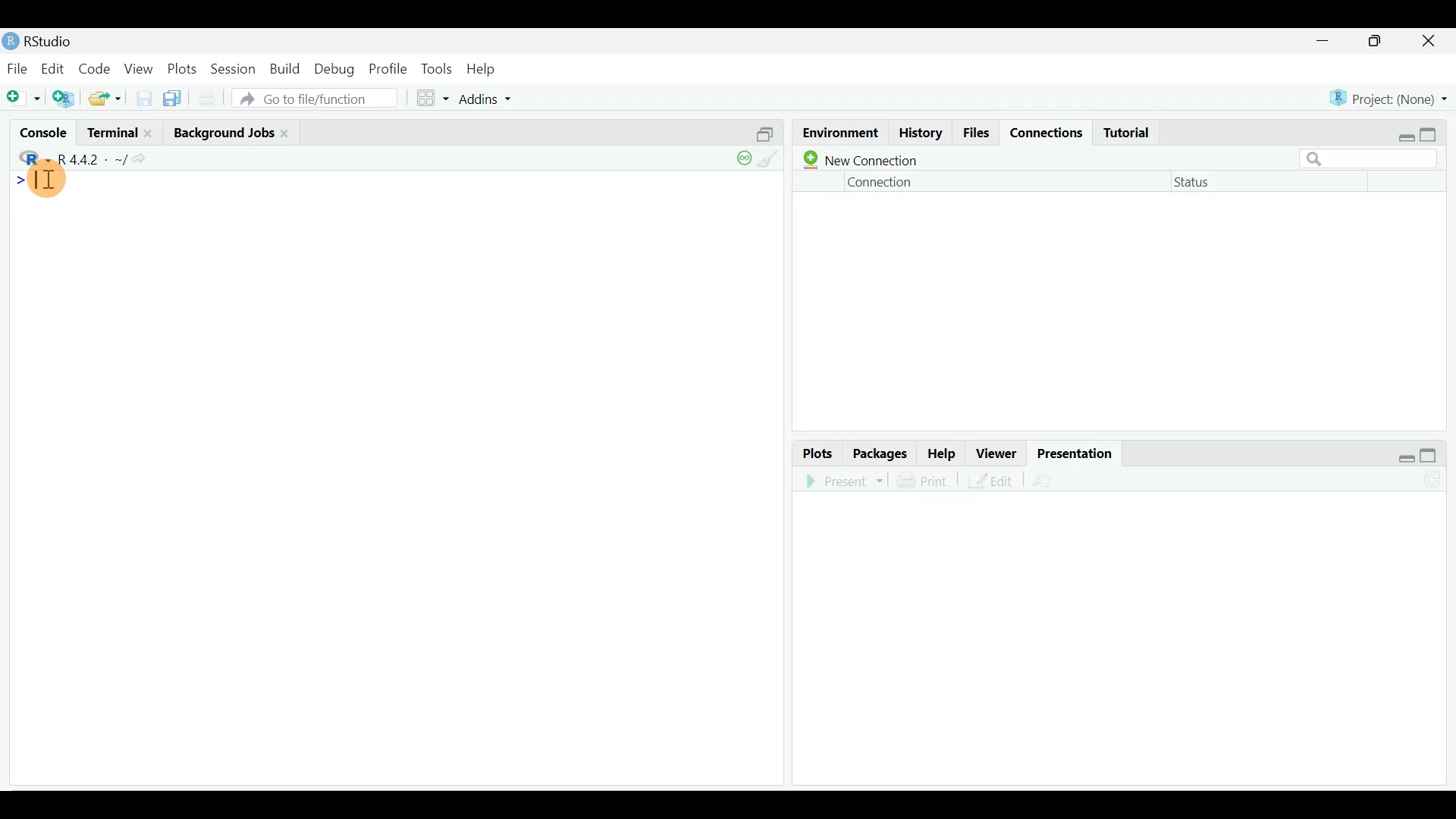 Image resolution: width=1456 pixels, height=819 pixels. I want to click on Save all open documents, so click(174, 99).